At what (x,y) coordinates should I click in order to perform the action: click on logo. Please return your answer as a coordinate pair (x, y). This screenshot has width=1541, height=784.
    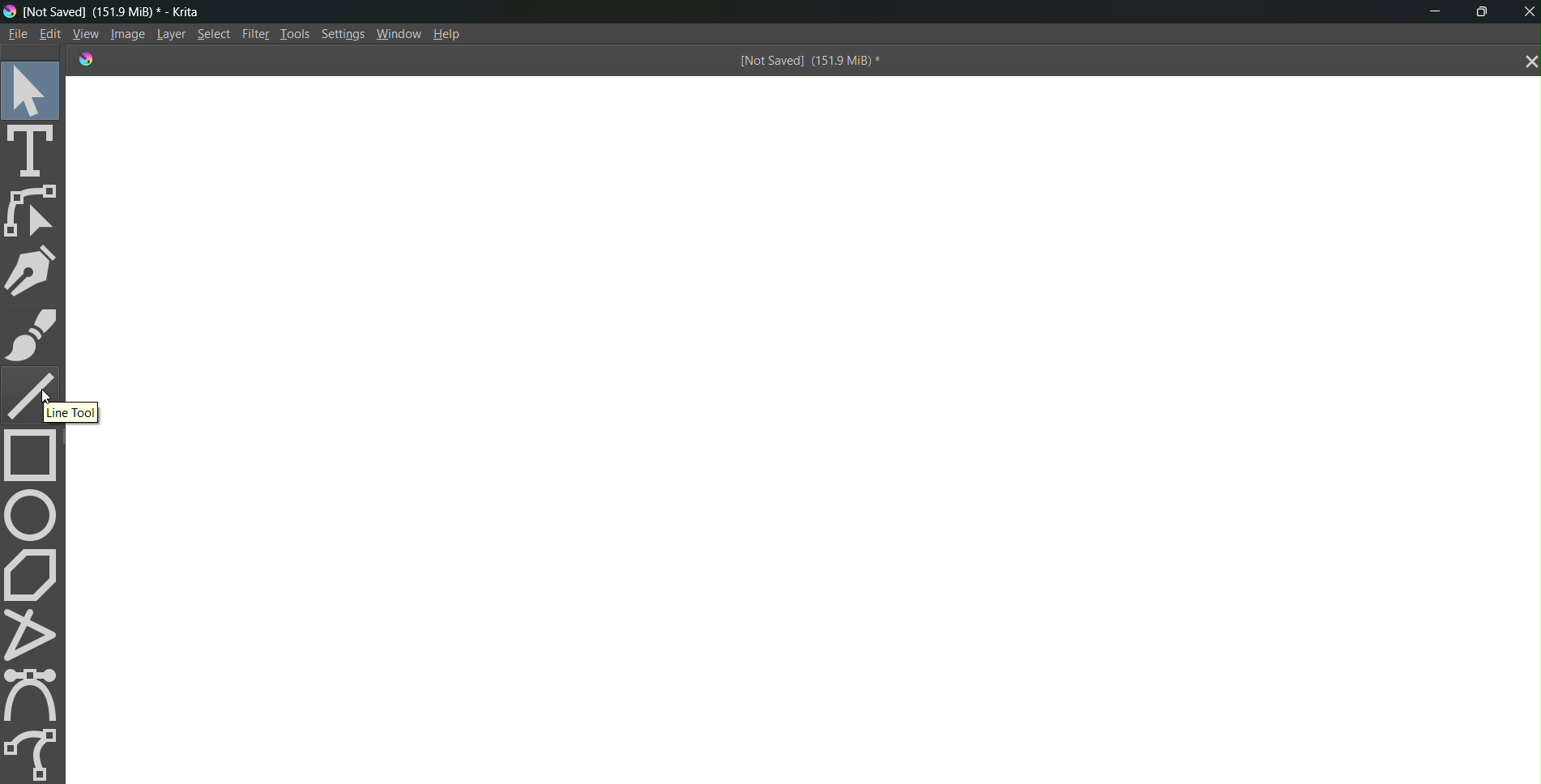
    Looking at the image, I should click on (83, 58).